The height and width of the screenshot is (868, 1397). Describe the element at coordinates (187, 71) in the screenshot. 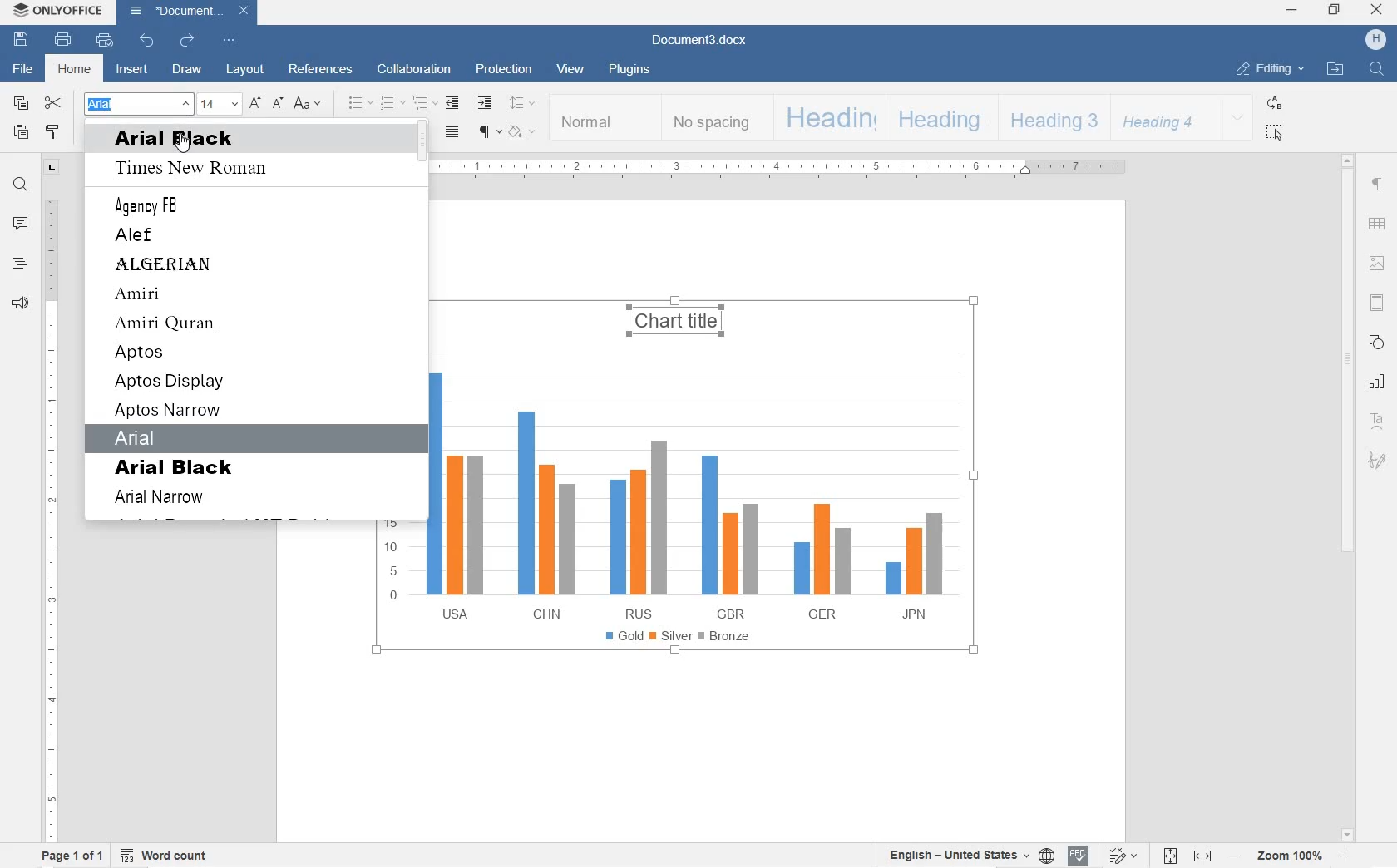

I see `DRAW` at that location.